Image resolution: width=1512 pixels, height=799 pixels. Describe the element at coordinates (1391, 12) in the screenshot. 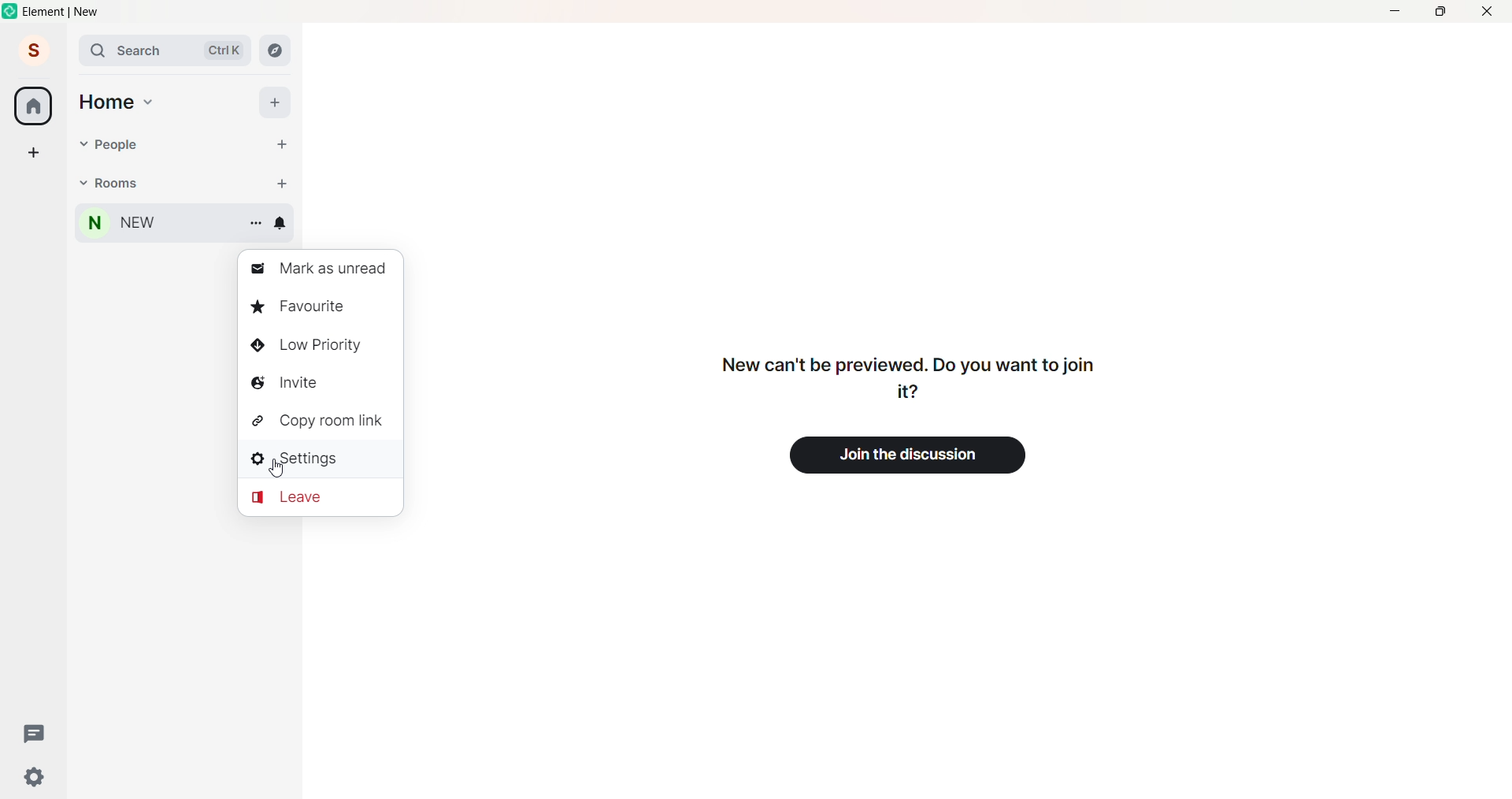

I see `minimize` at that location.